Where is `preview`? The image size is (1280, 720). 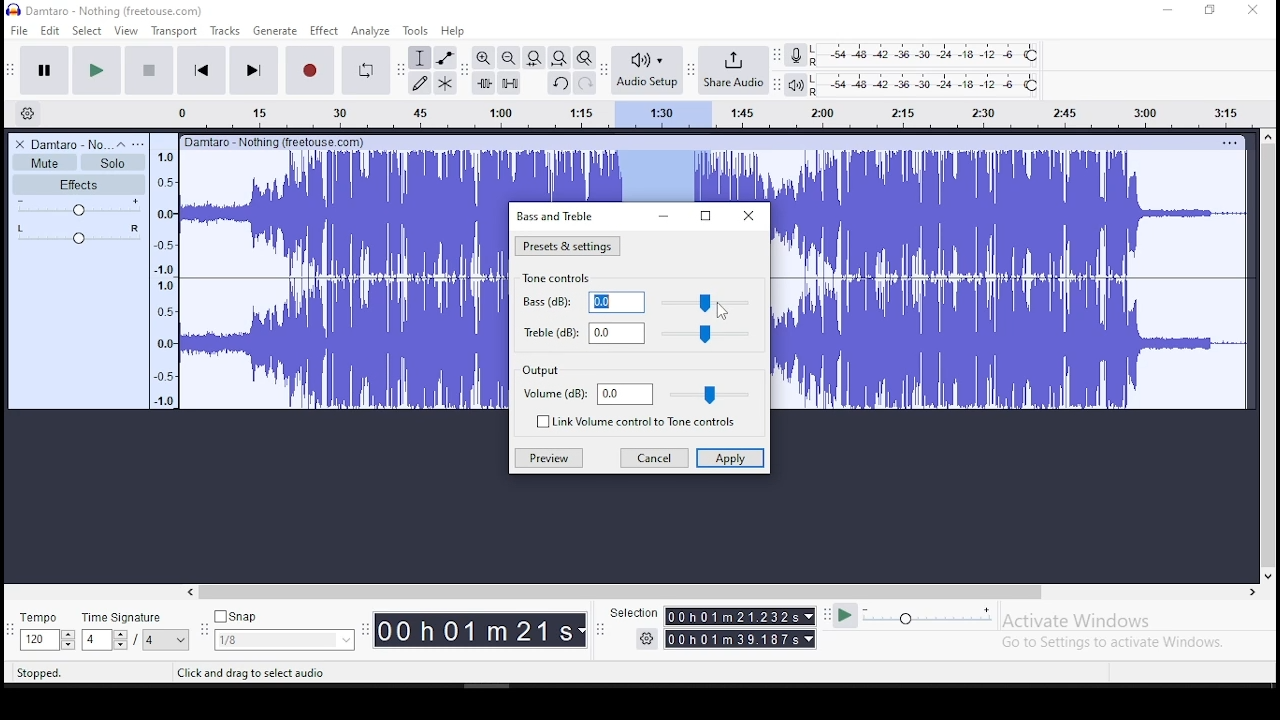 preview is located at coordinates (548, 458).